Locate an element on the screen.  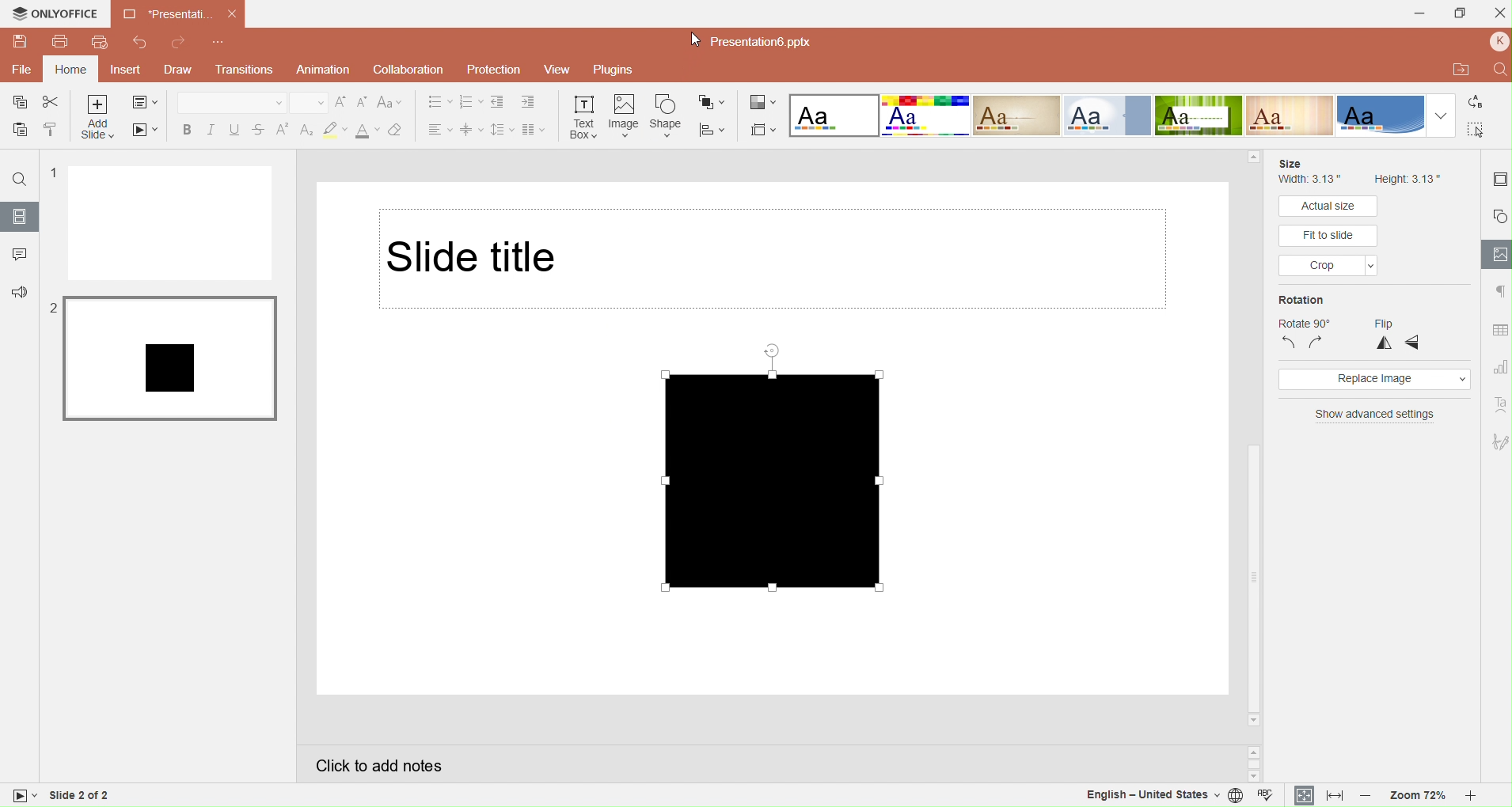
Cut is located at coordinates (52, 102).